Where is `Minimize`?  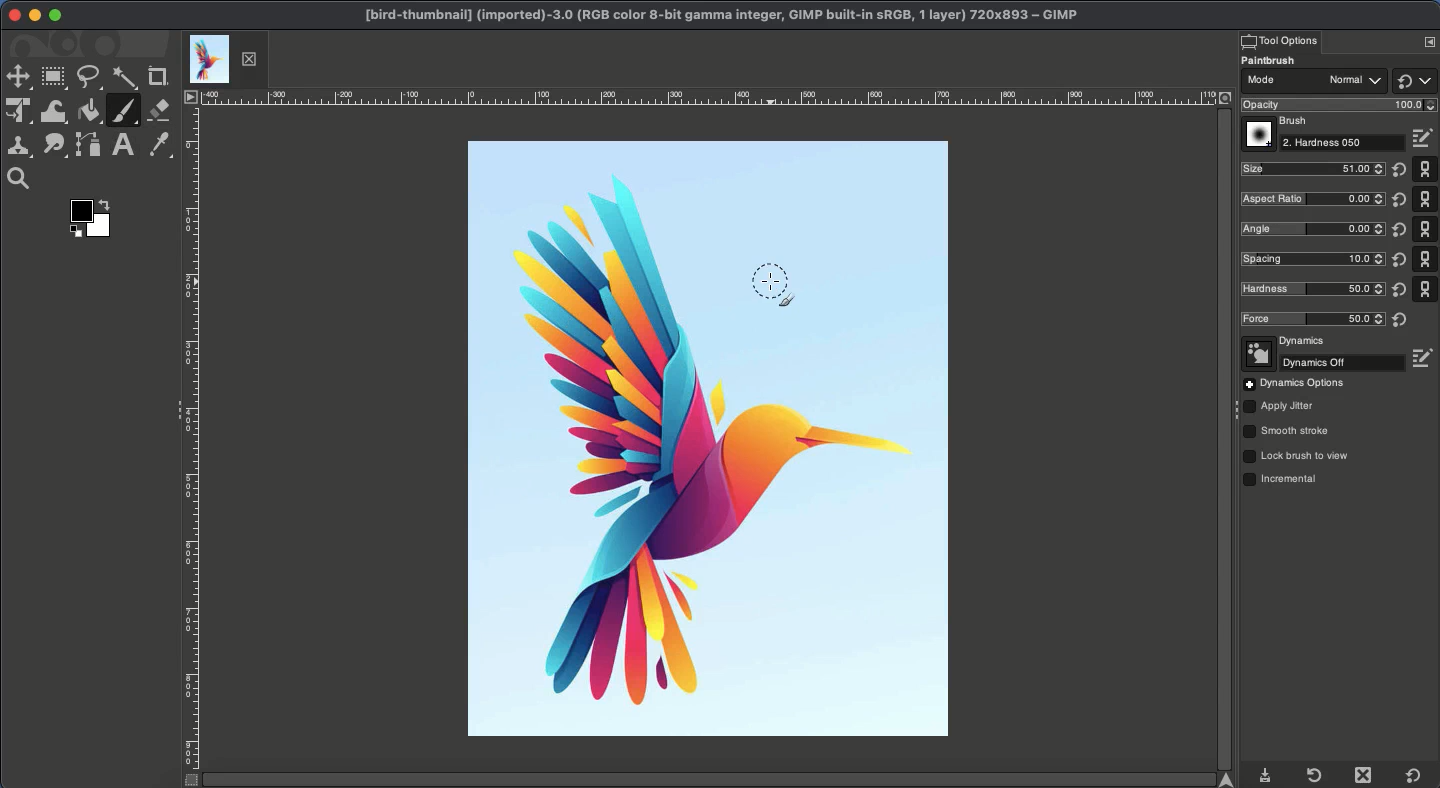 Minimize is located at coordinates (34, 15).